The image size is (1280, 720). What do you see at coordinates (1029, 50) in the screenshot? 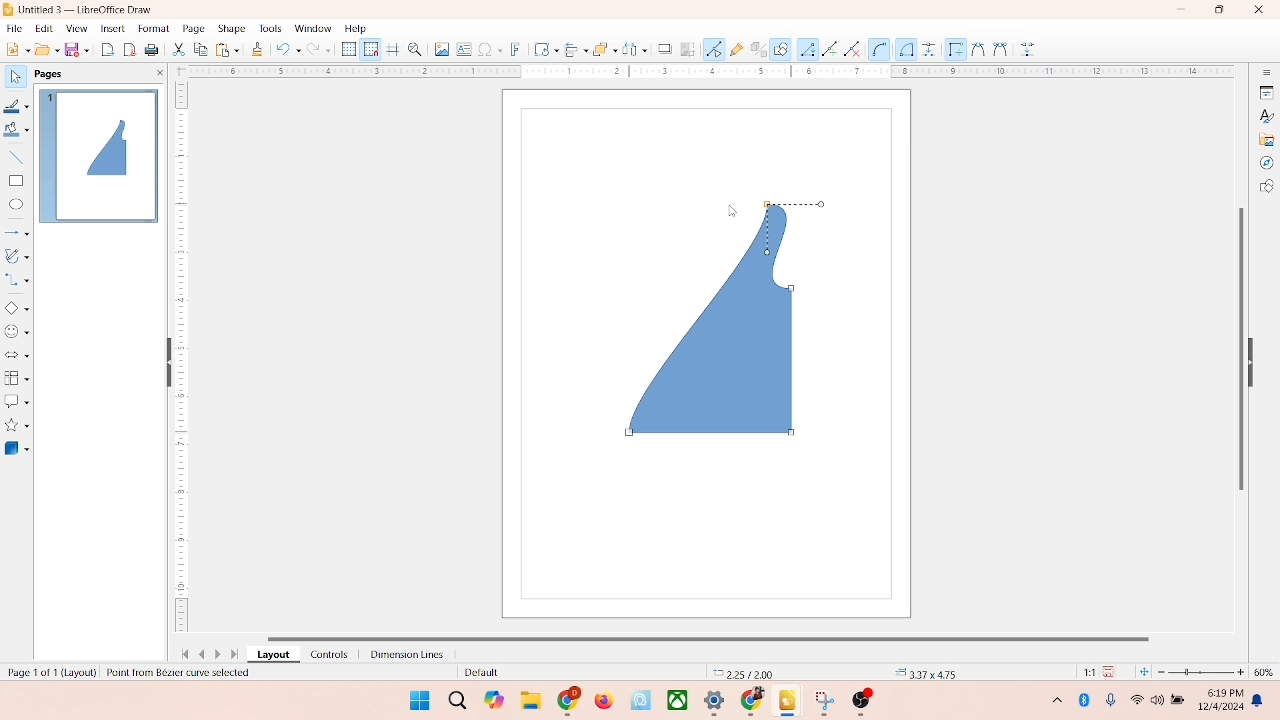
I see `Glue points too` at bounding box center [1029, 50].